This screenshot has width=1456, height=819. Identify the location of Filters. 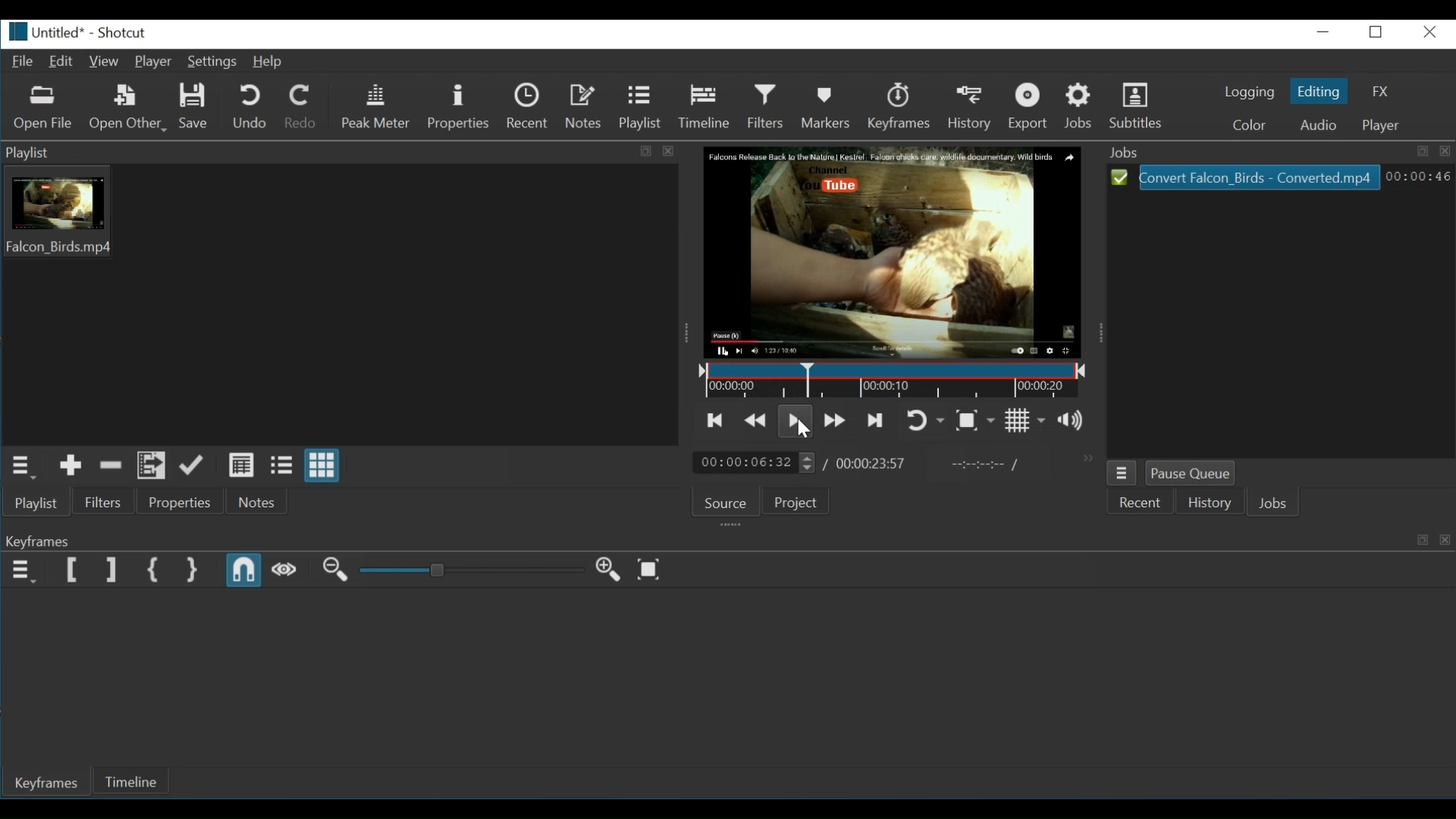
(103, 502).